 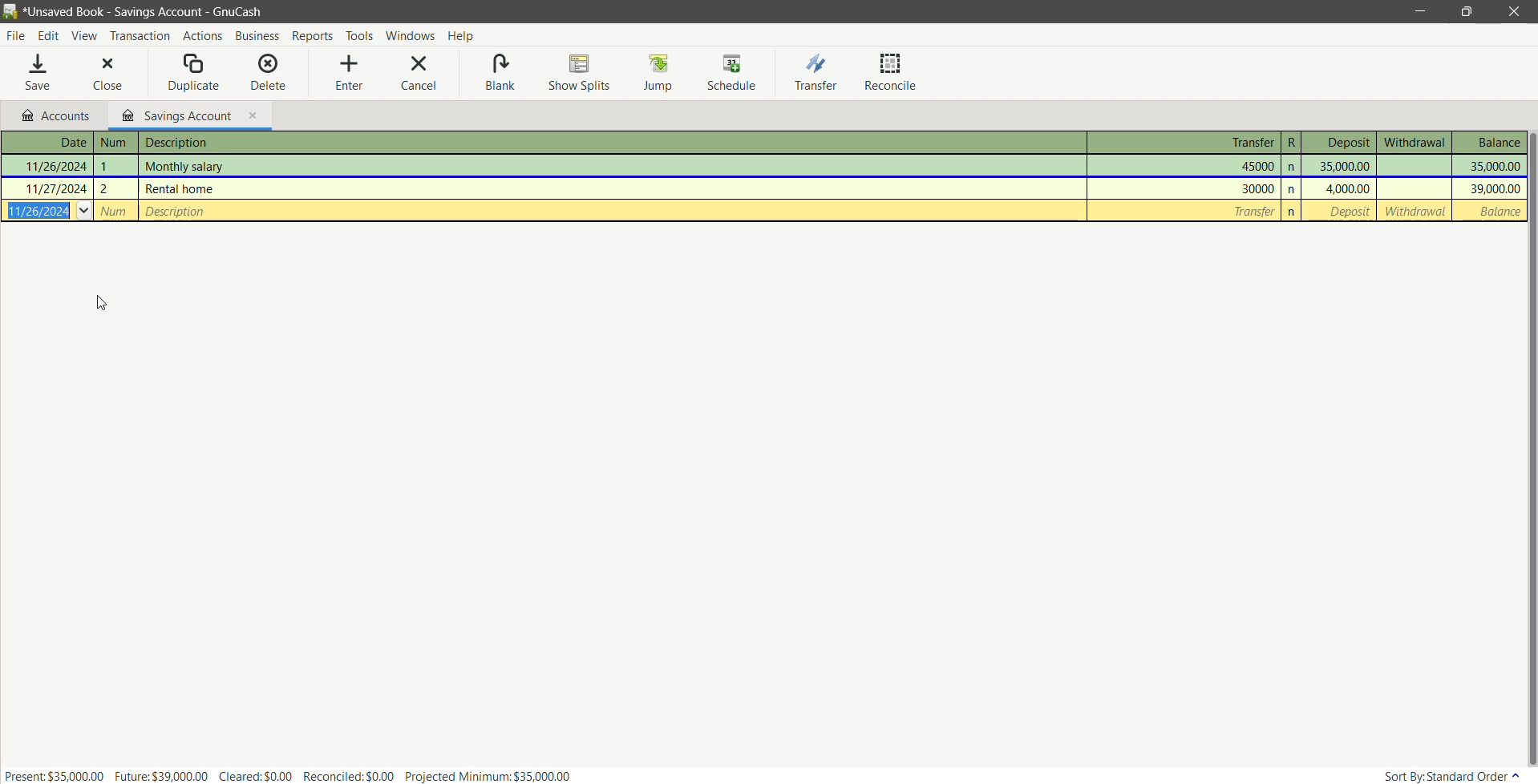 I want to click on Reconcile, so click(x=891, y=73).